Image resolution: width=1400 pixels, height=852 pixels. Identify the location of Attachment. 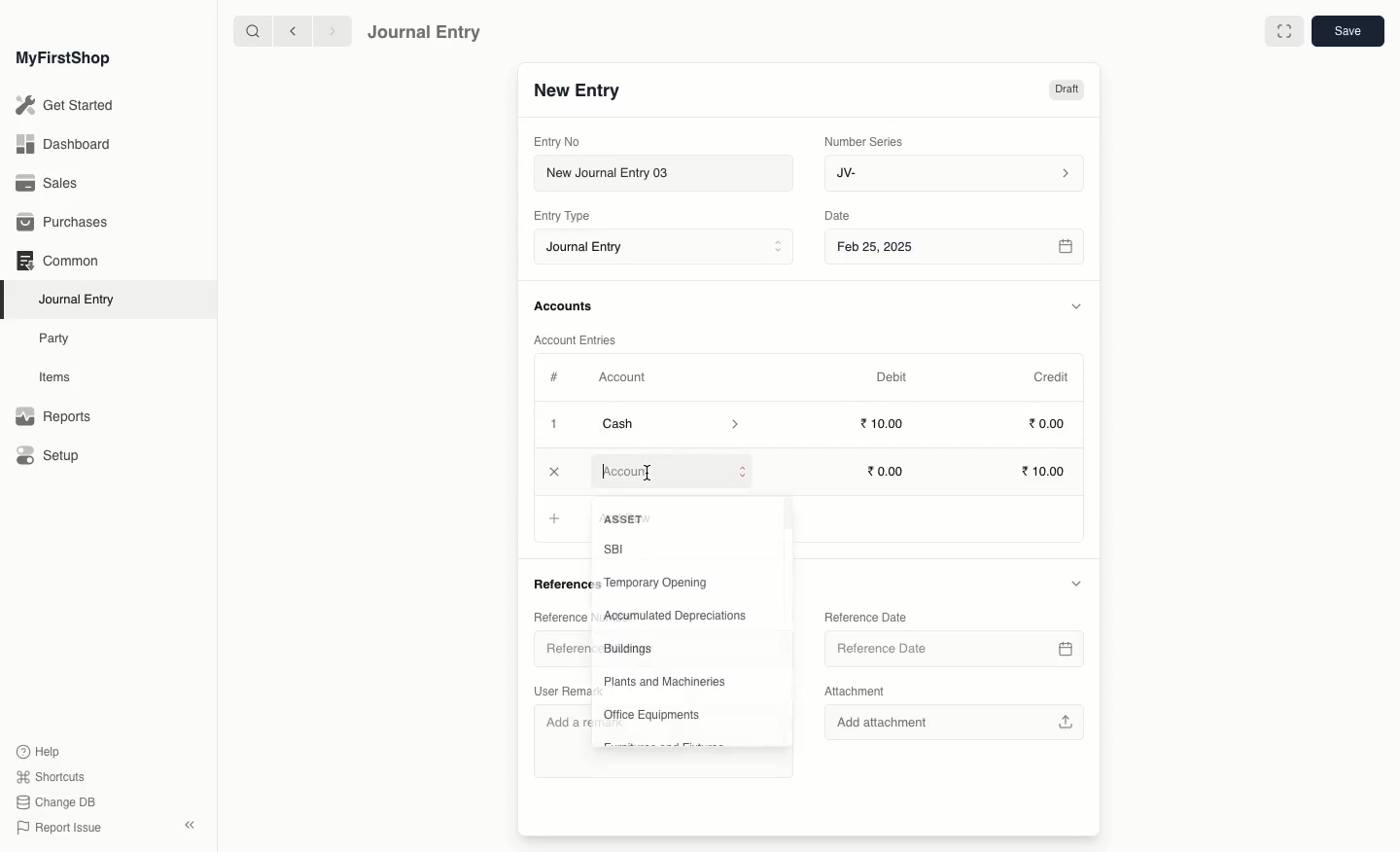
(856, 692).